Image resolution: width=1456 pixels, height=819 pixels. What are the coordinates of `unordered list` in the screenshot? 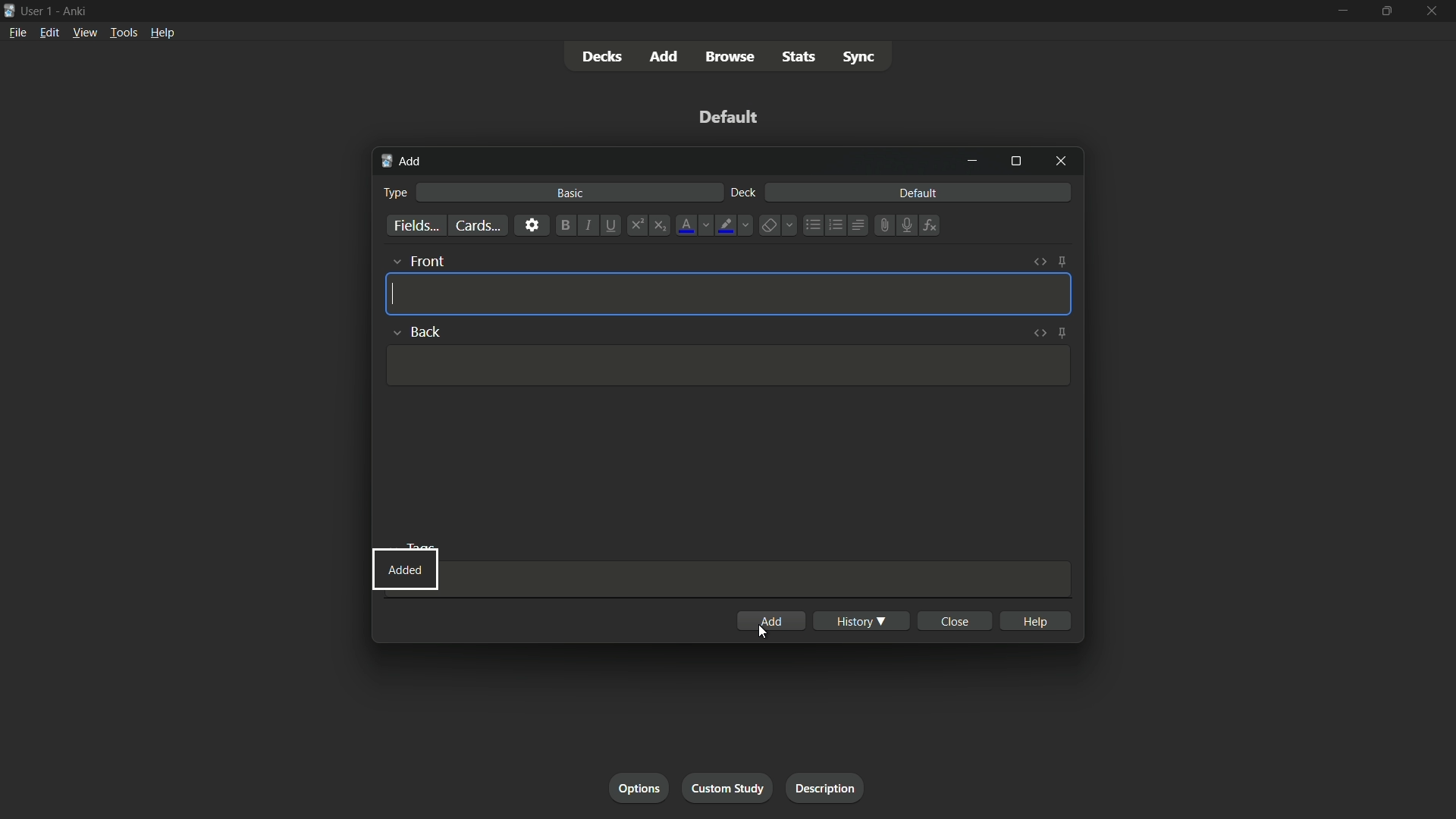 It's located at (812, 225).